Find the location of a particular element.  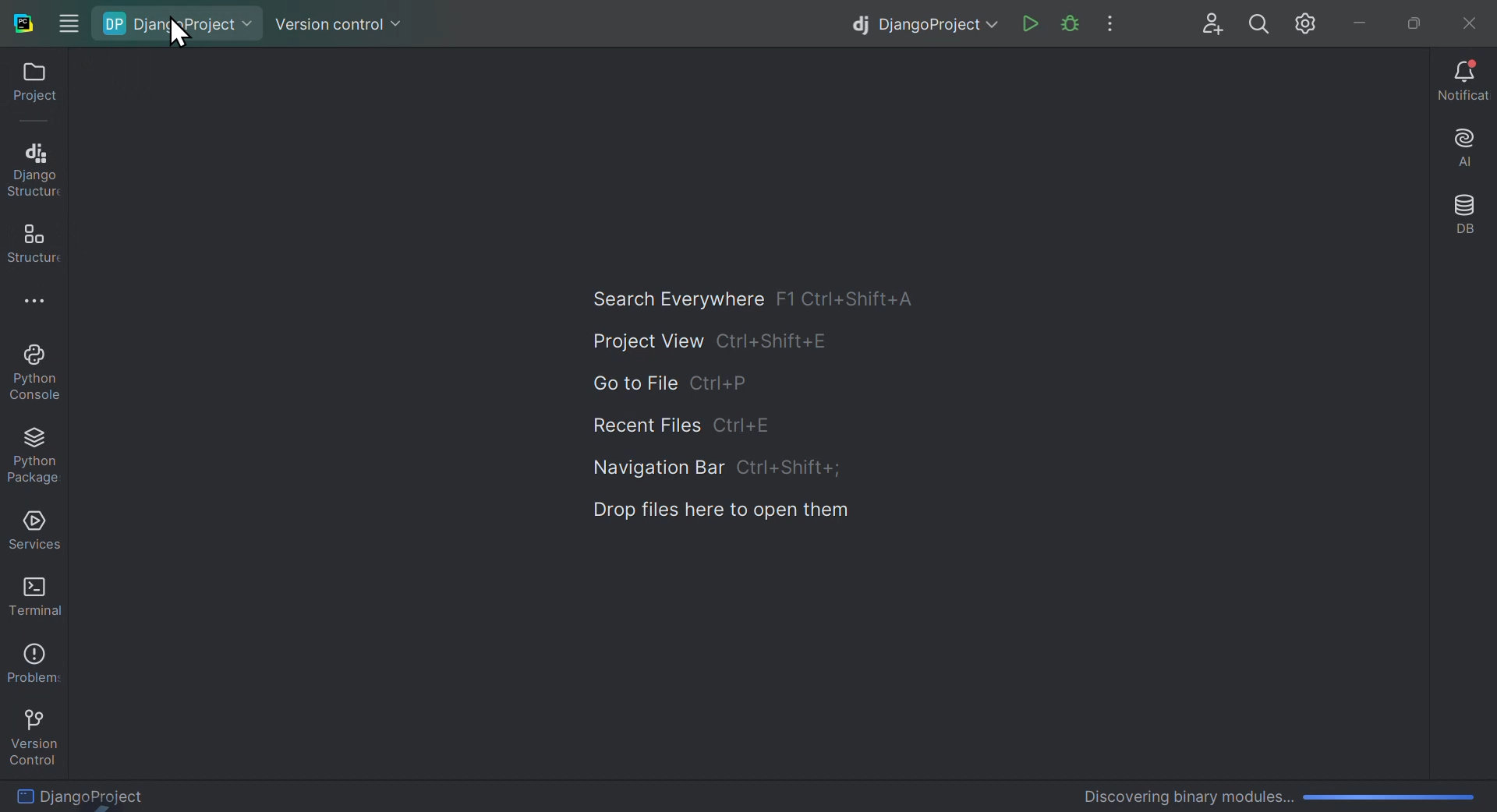

shortcut is located at coordinates (745, 428).